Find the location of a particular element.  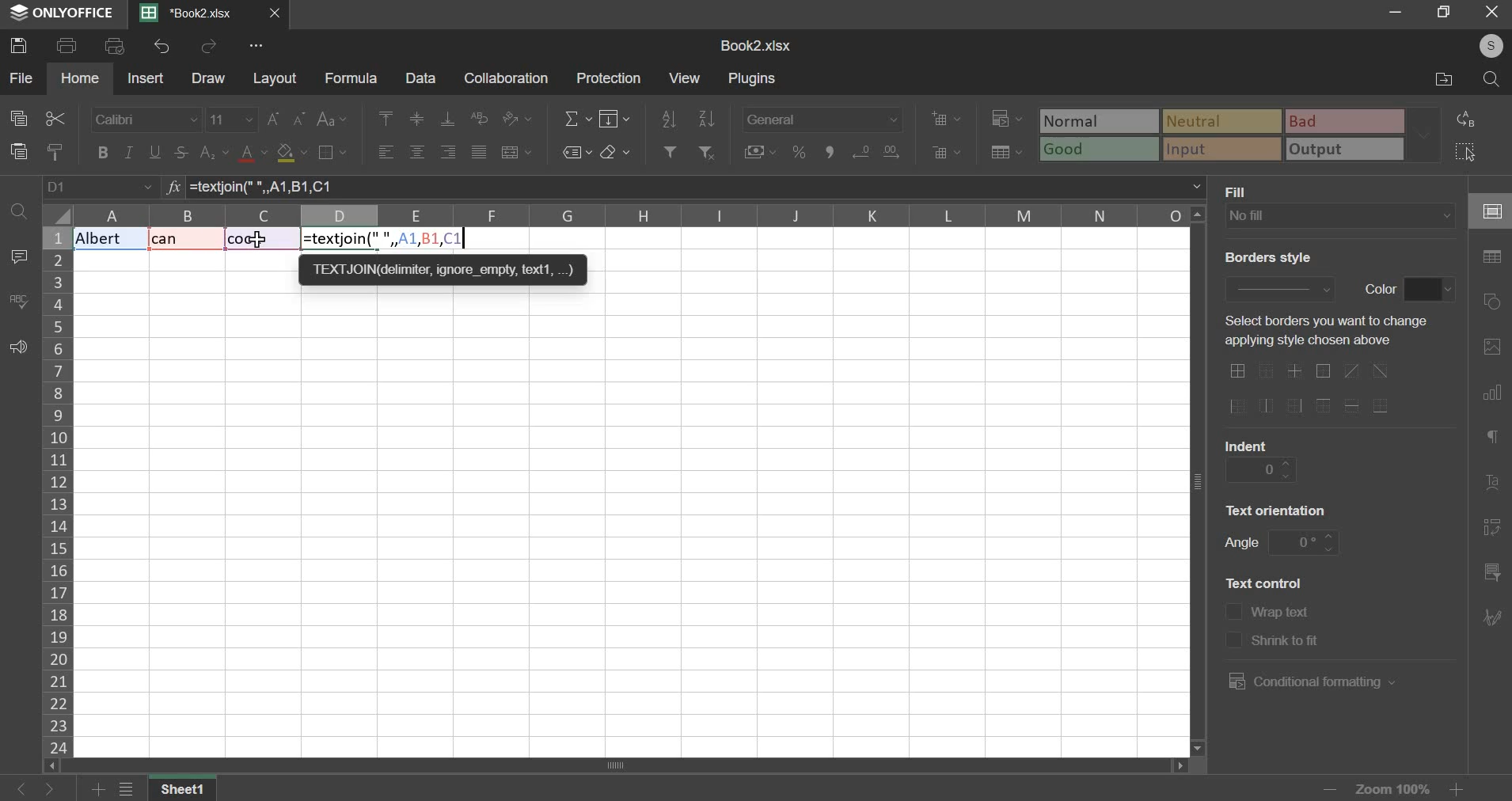

insert is located at coordinates (145, 78).